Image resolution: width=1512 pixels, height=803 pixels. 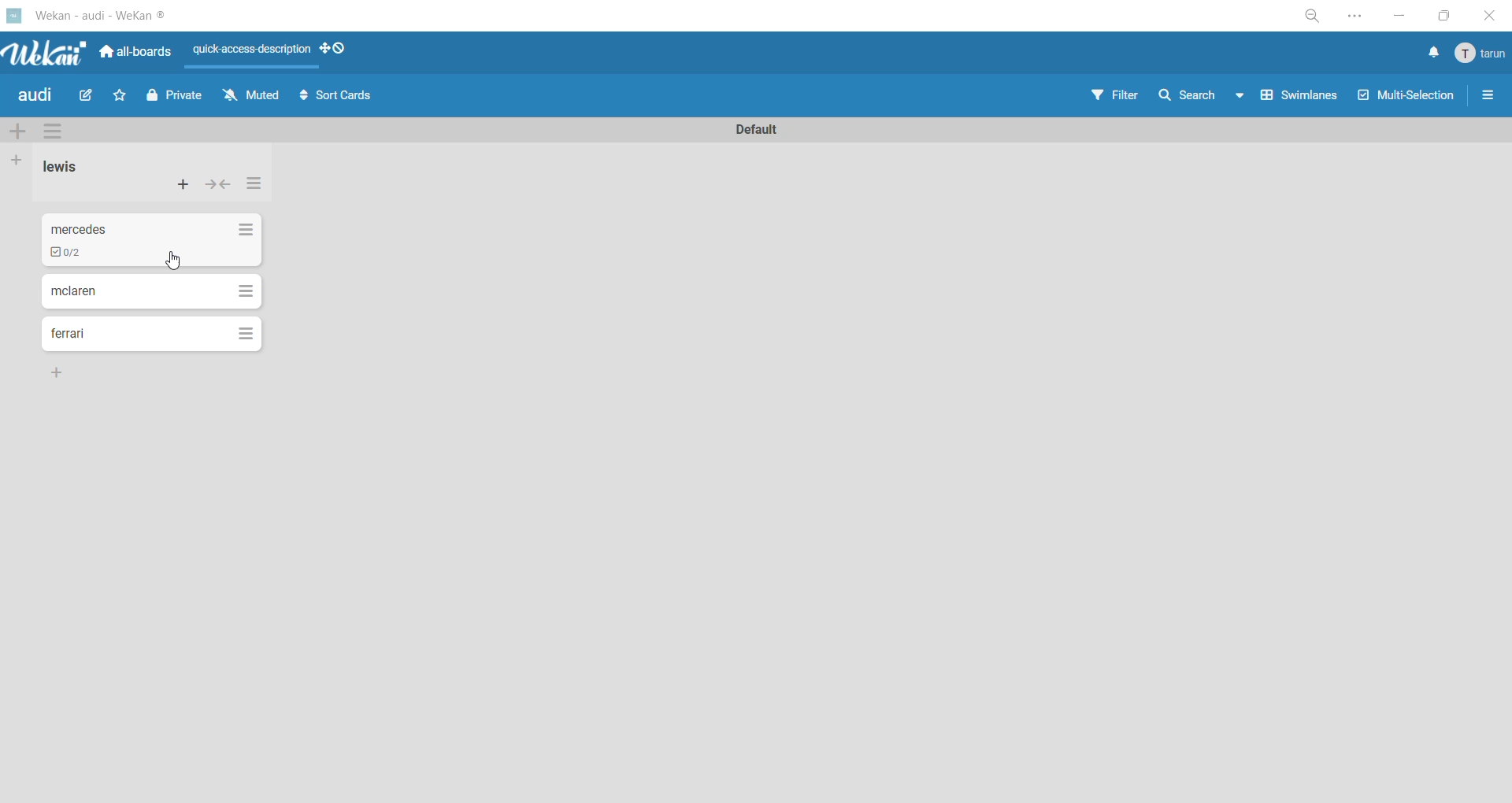 I want to click on collapse, so click(x=217, y=187).